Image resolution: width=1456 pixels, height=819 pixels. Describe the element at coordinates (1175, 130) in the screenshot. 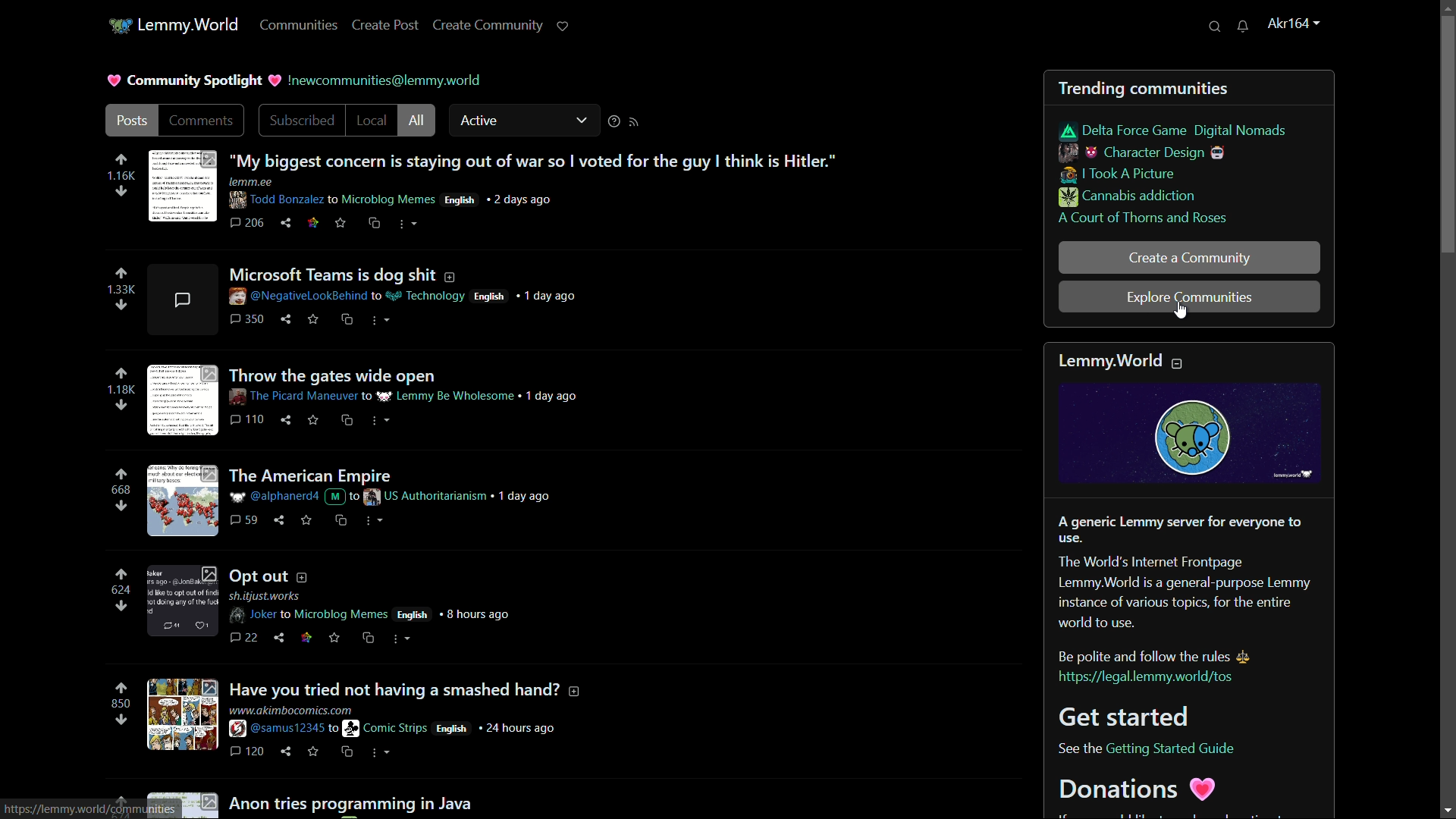

I see `delta force game digital nomads` at that location.